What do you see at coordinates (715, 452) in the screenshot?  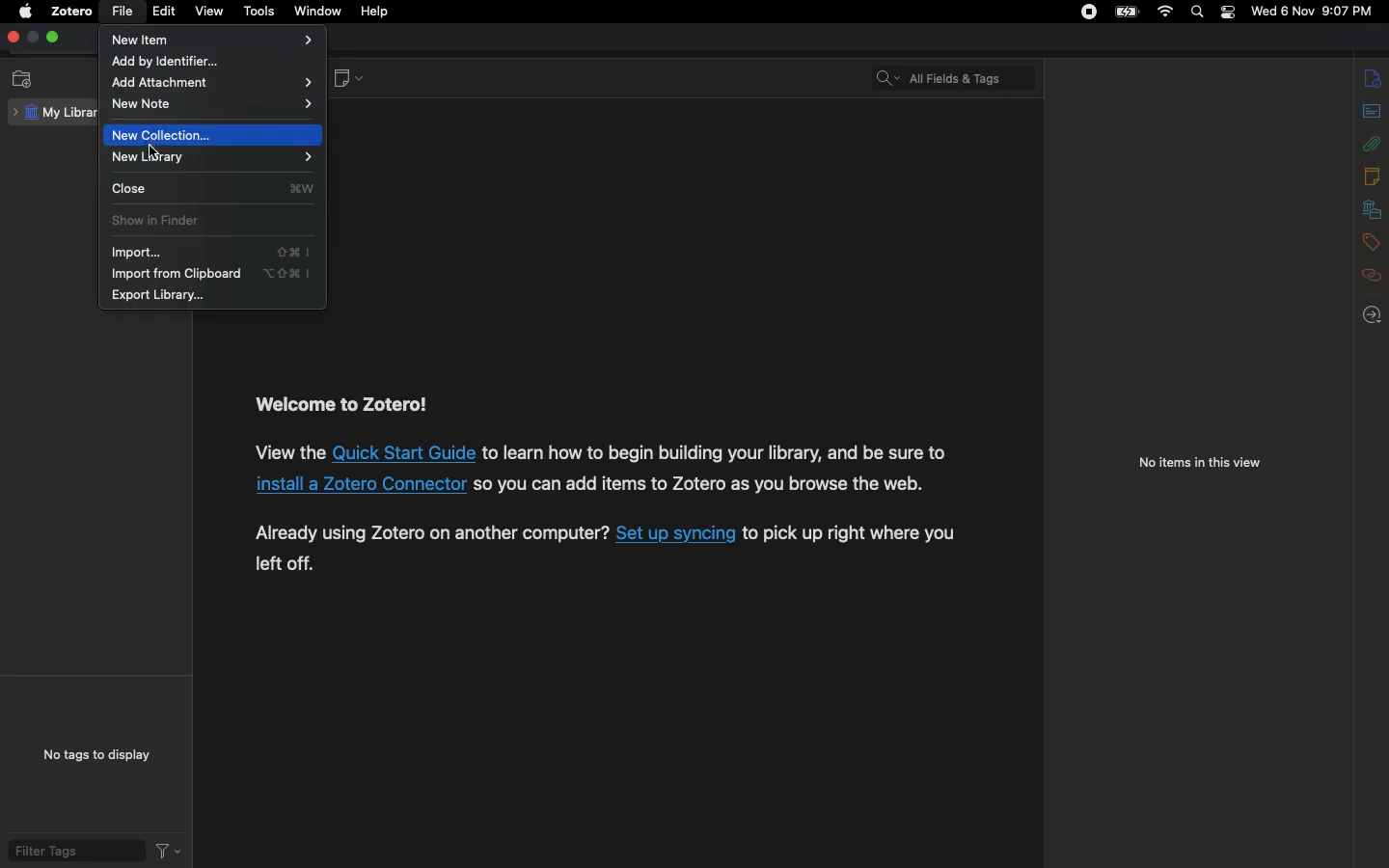 I see `to learn how to begin building your library, and be sure to` at bounding box center [715, 452].